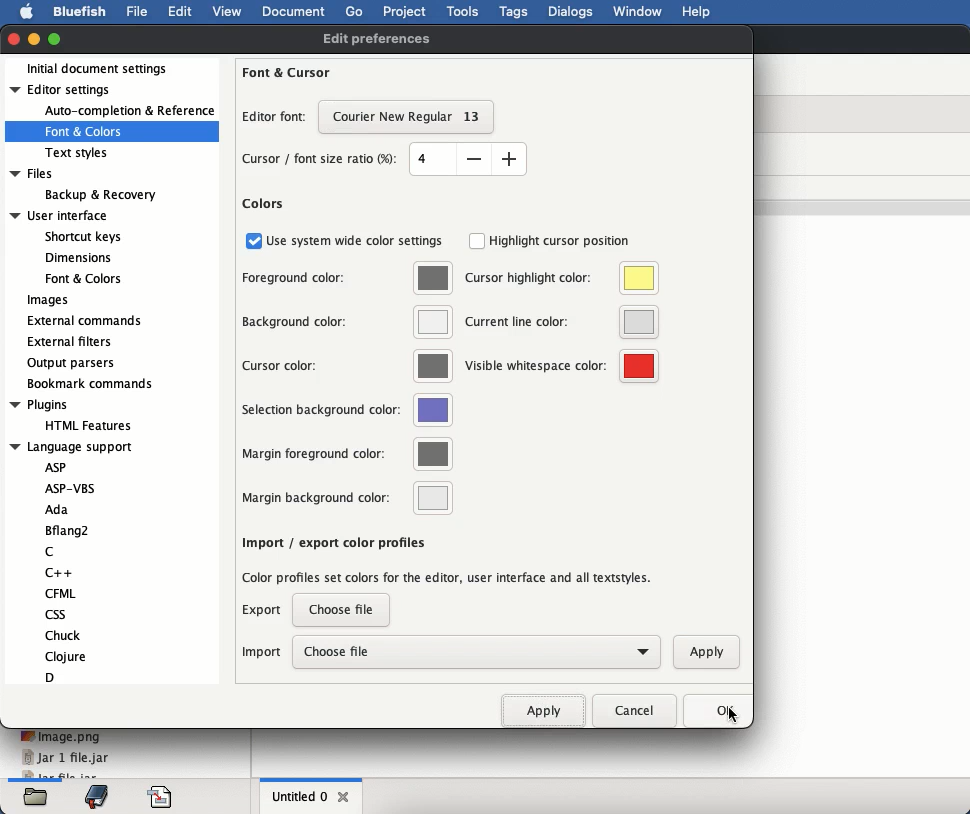  What do you see at coordinates (65, 758) in the screenshot?
I see `jar 1 file` at bounding box center [65, 758].